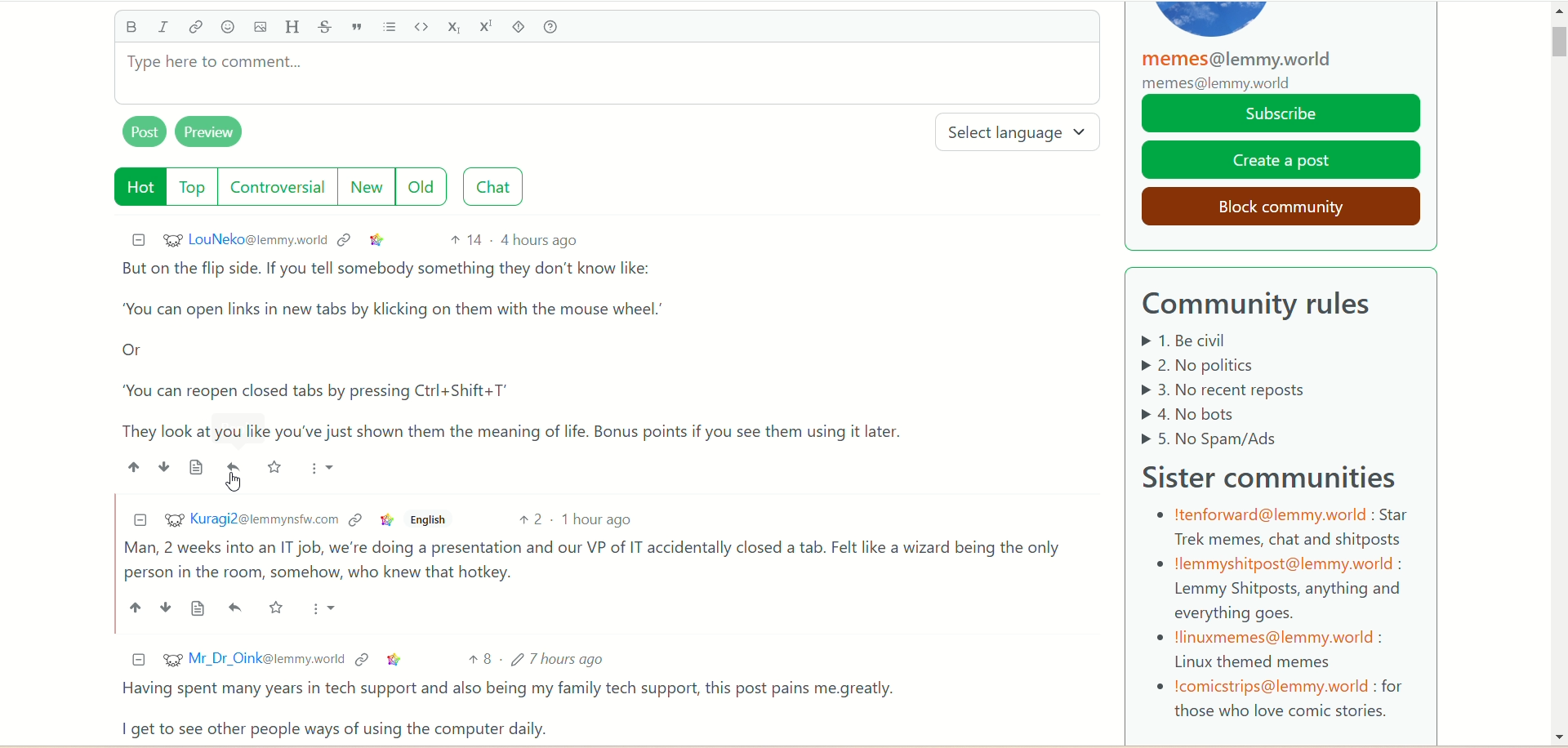 The height and width of the screenshot is (748, 1568). Describe the element at coordinates (394, 659) in the screenshot. I see `link` at that location.